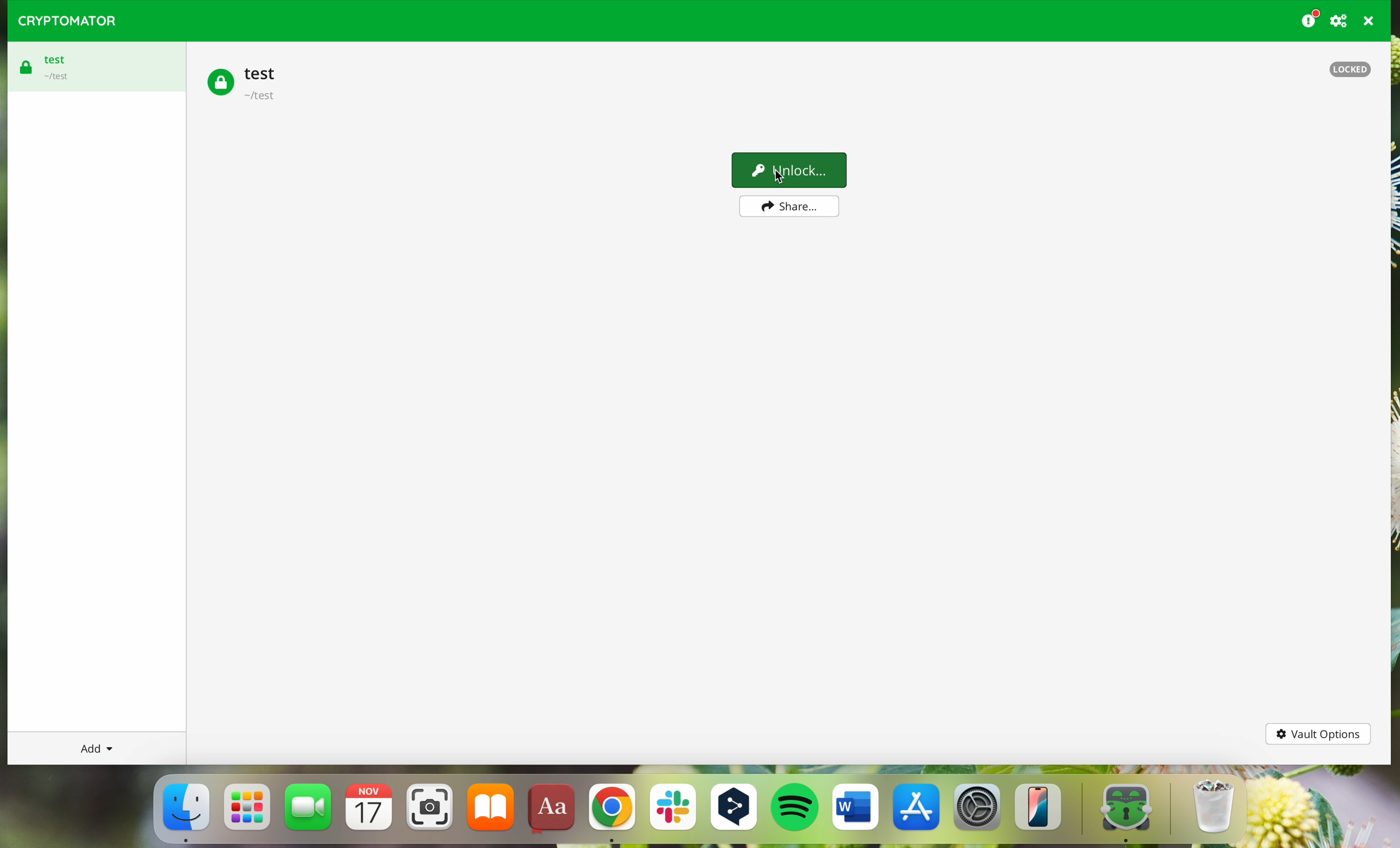  Describe the element at coordinates (247, 81) in the screenshot. I see `test vault` at that location.